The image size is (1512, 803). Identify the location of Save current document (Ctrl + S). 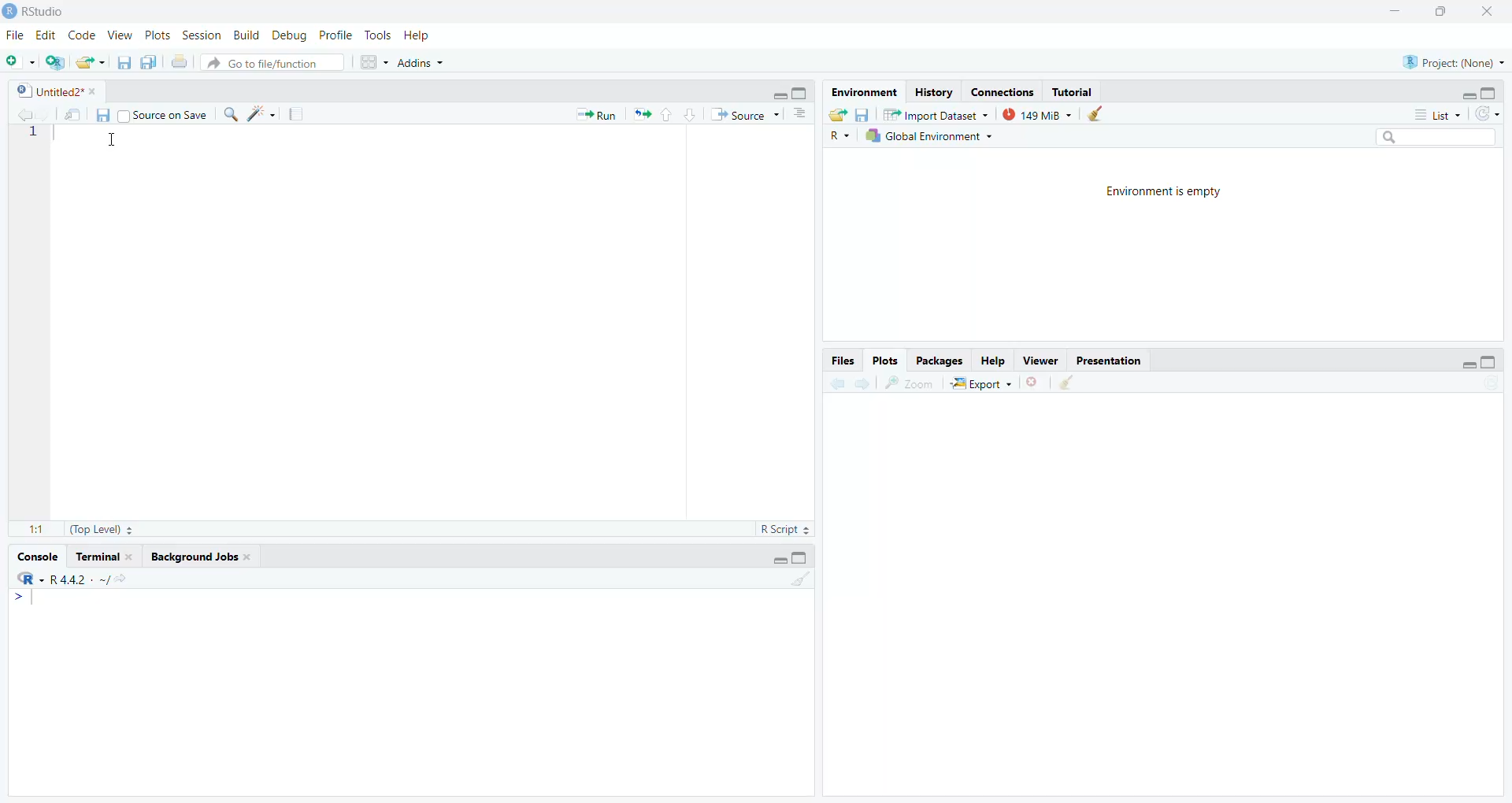
(106, 113).